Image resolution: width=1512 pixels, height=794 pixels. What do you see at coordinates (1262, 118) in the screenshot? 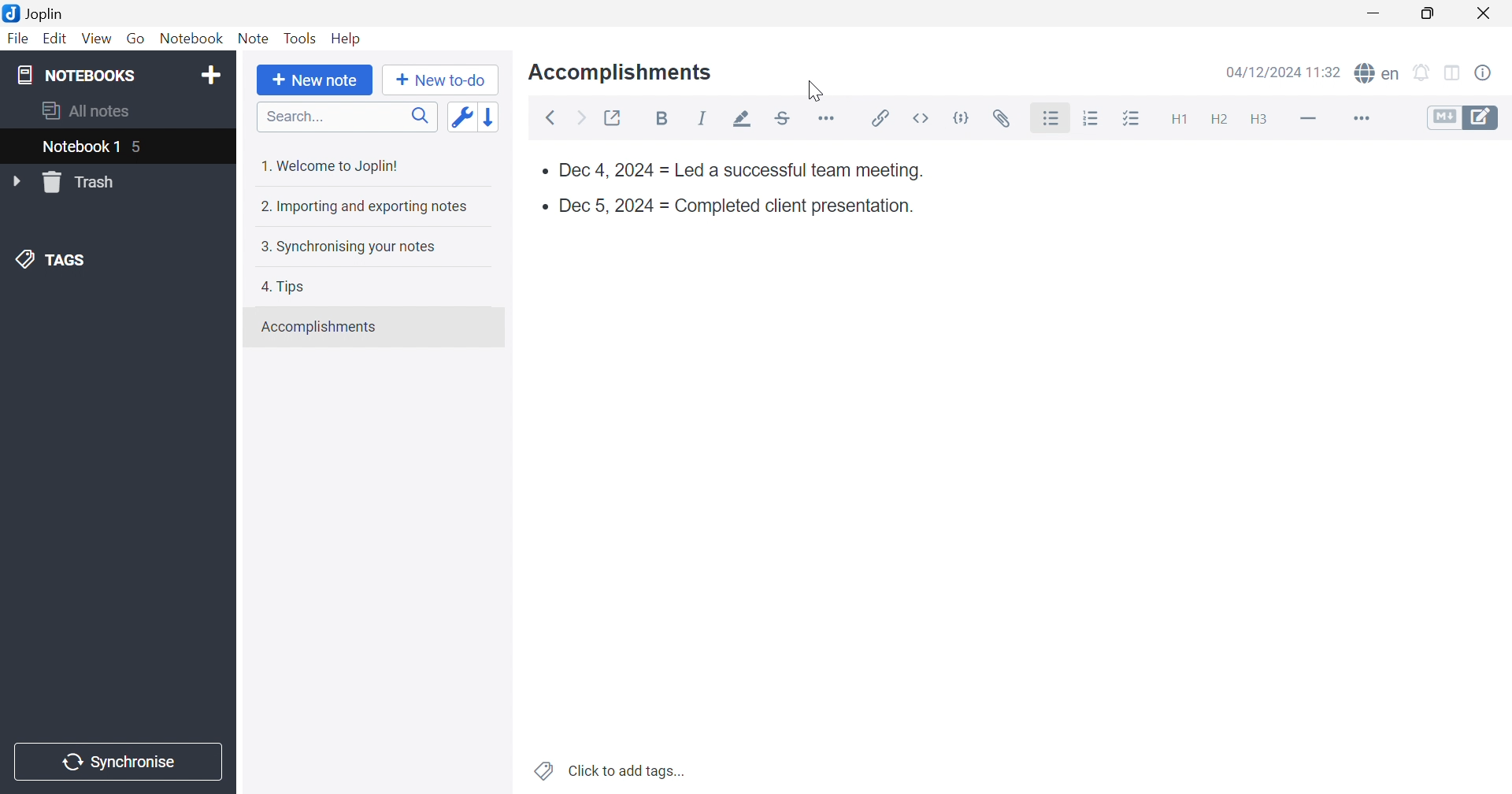
I see `Heading 3` at bounding box center [1262, 118].